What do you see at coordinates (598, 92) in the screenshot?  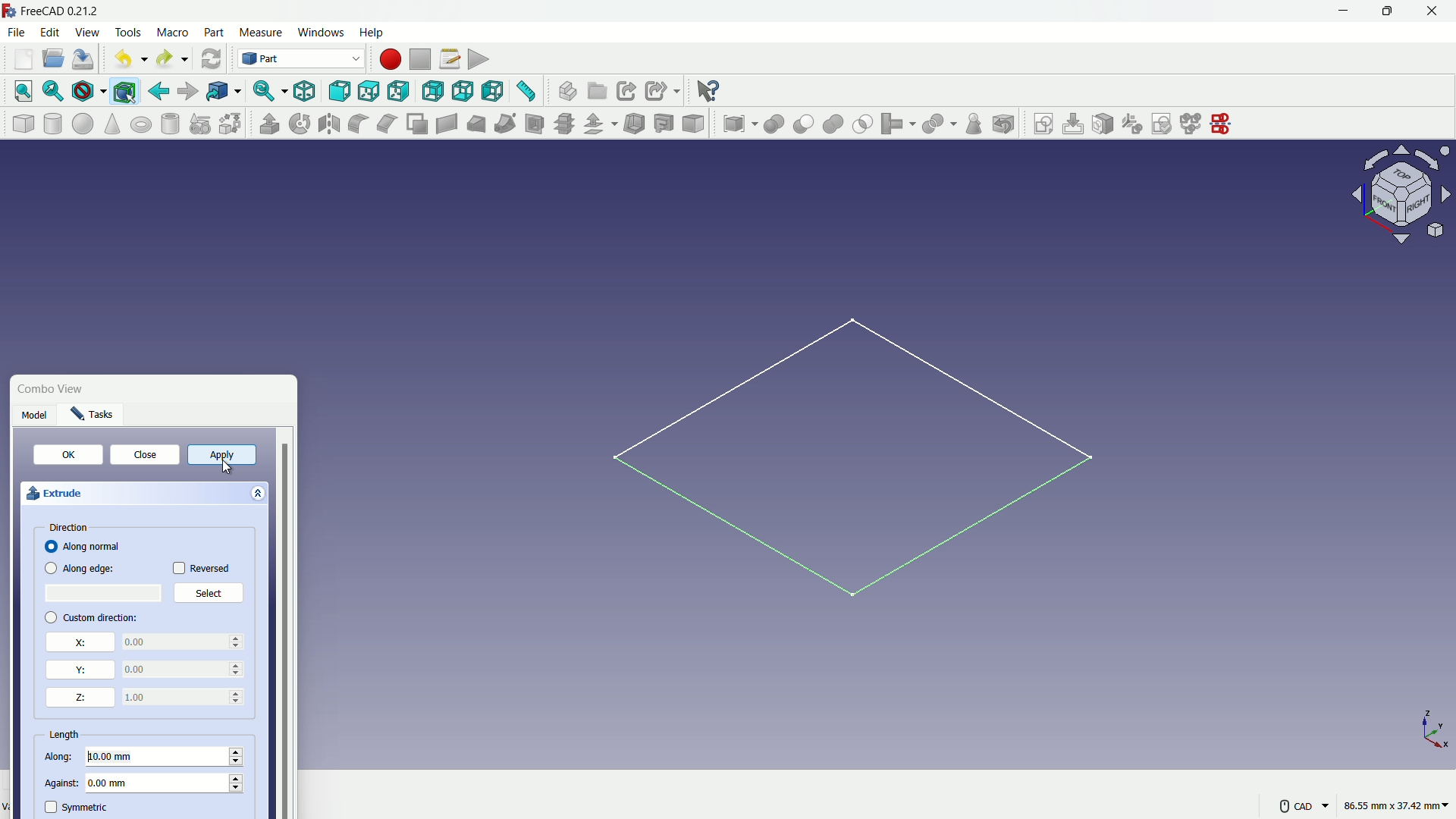 I see `create group` at bounding box center [598, 92].